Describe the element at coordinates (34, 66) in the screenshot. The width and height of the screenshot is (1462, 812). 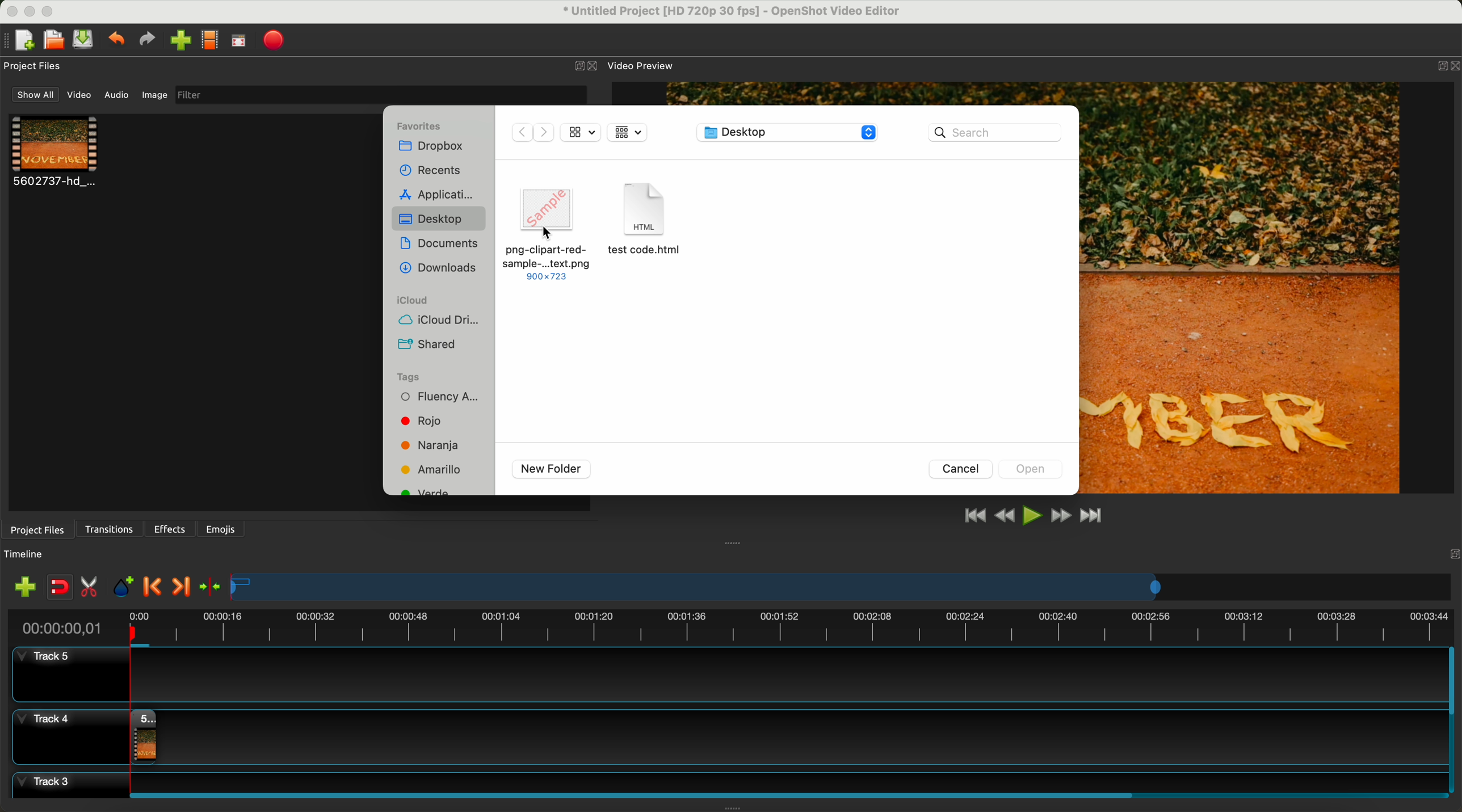
I see `project files` at that location.